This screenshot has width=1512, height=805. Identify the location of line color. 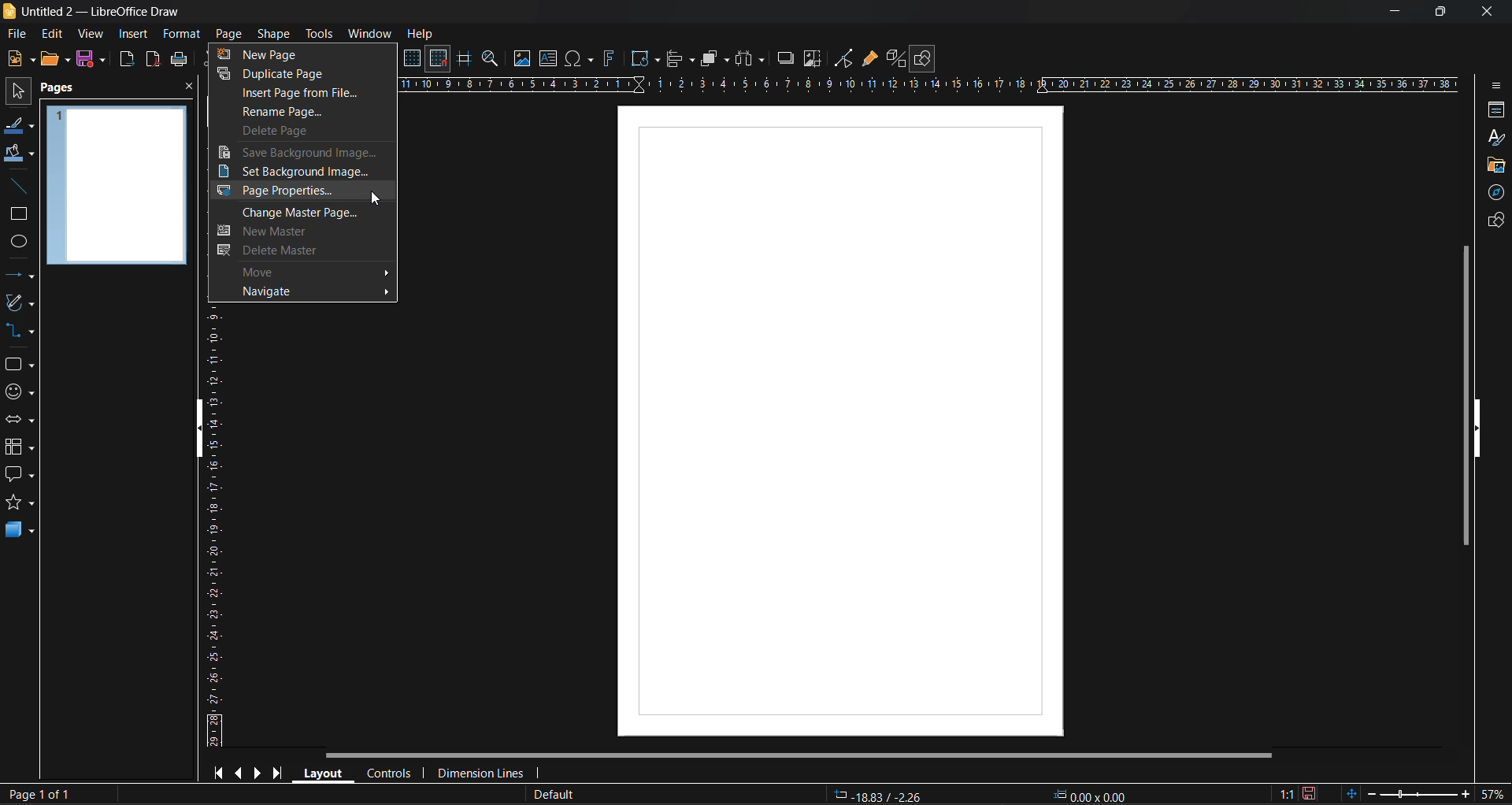
(20, 128).